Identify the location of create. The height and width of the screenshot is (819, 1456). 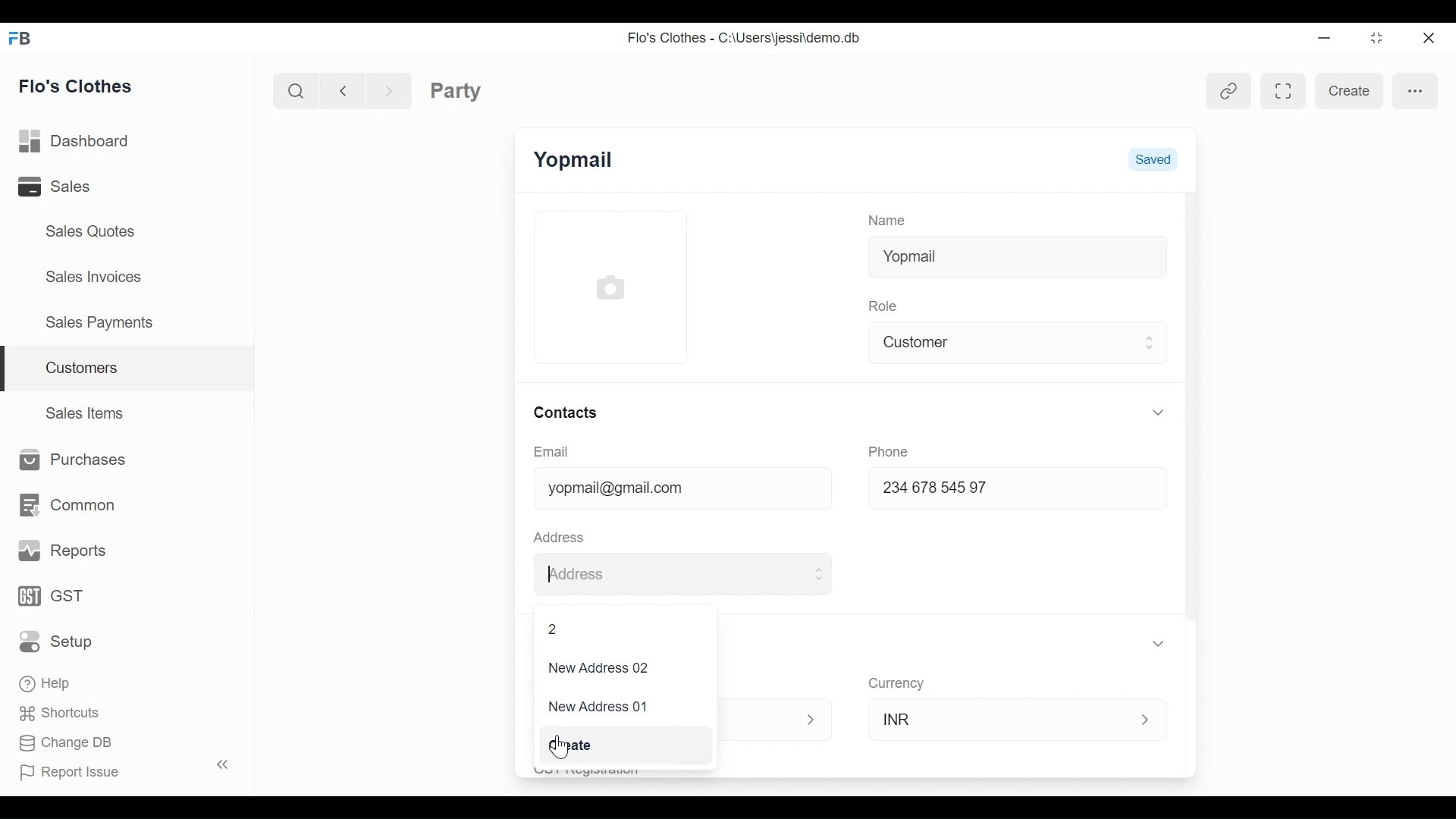
(1348, 92).